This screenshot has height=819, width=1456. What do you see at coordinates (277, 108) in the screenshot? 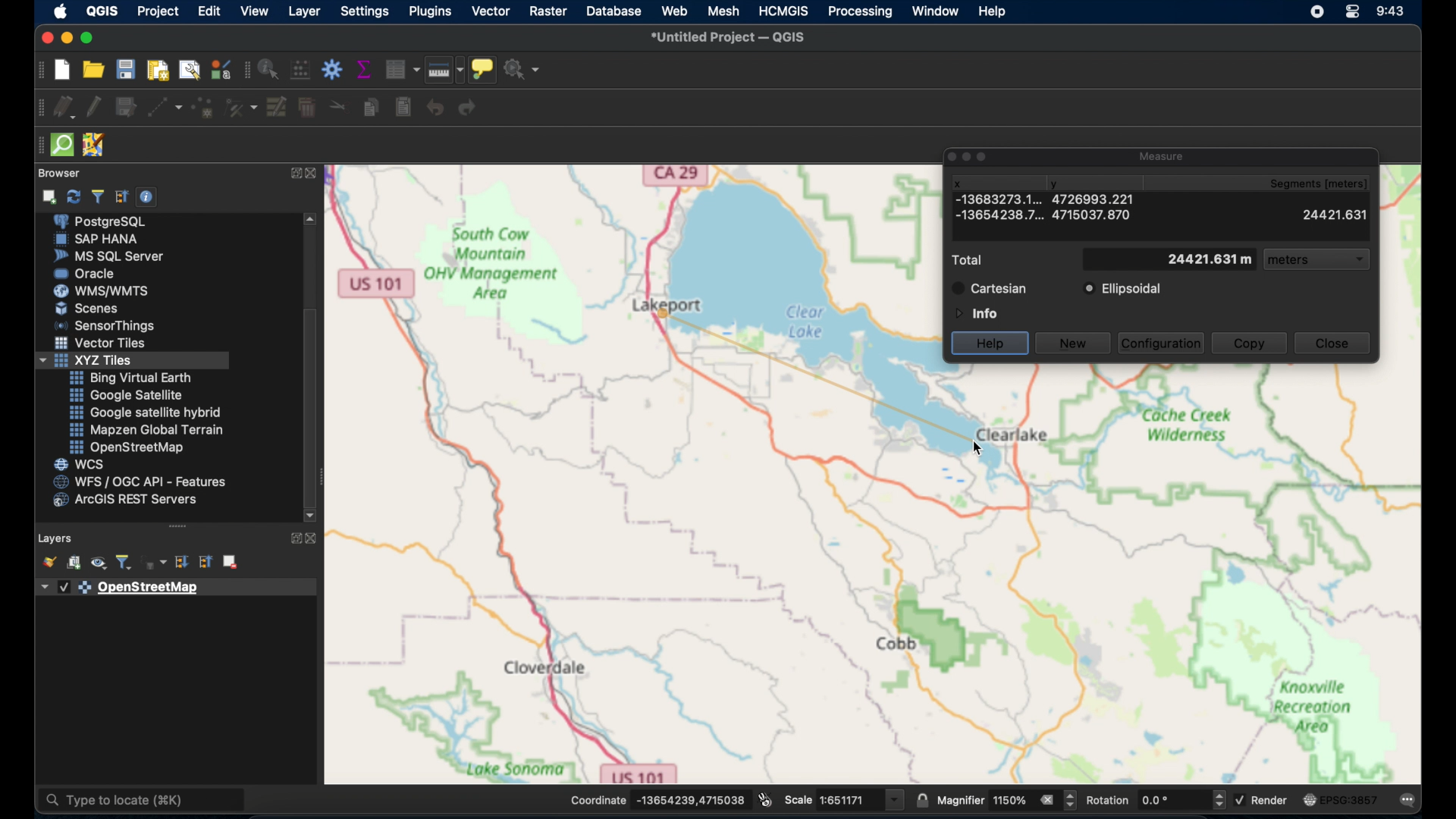
I see `modify attributes` at bounding box center [277, 108].